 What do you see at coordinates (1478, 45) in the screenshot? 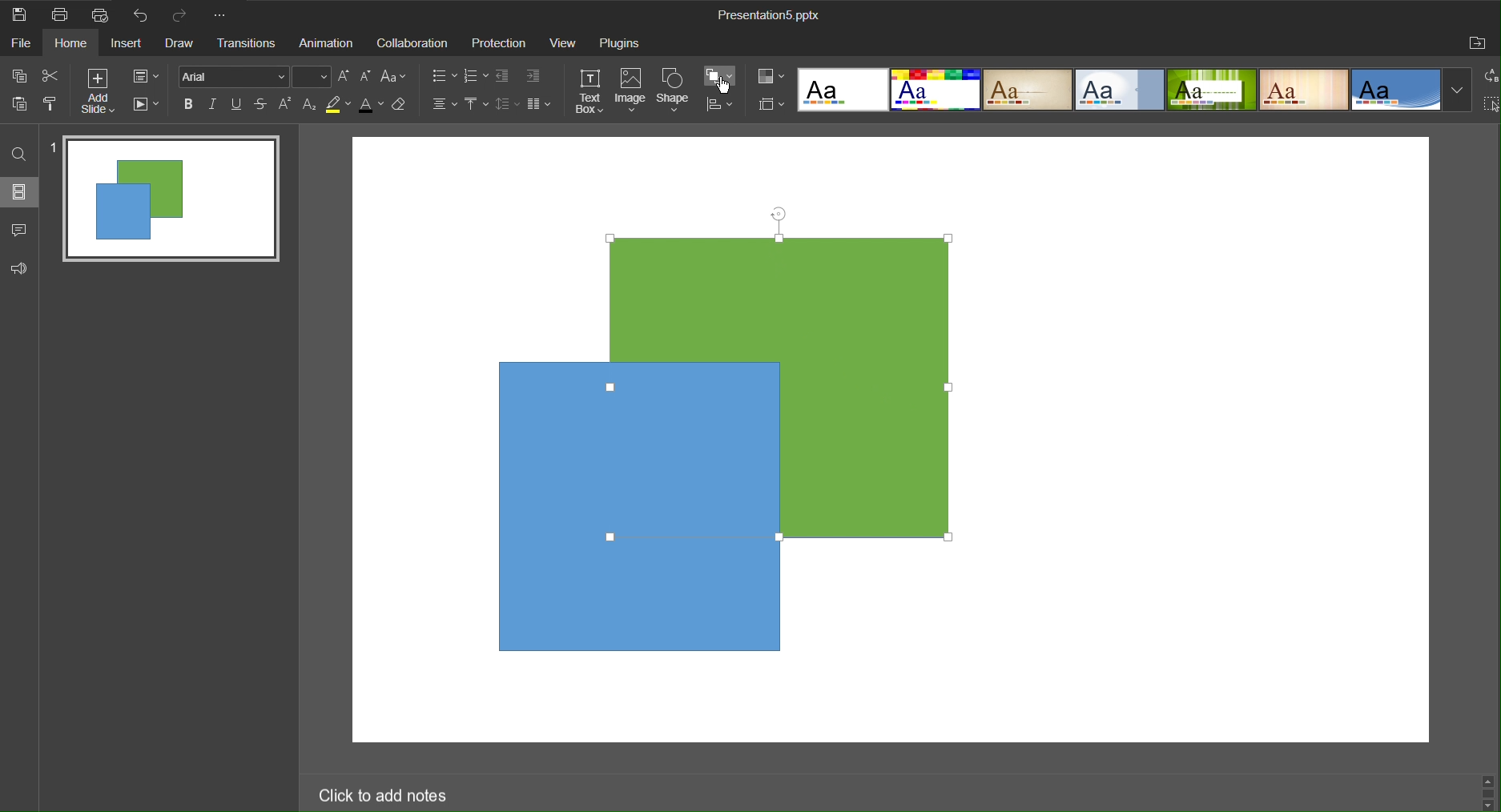
I see `Open File Location` at bounding box center [1478, 45].